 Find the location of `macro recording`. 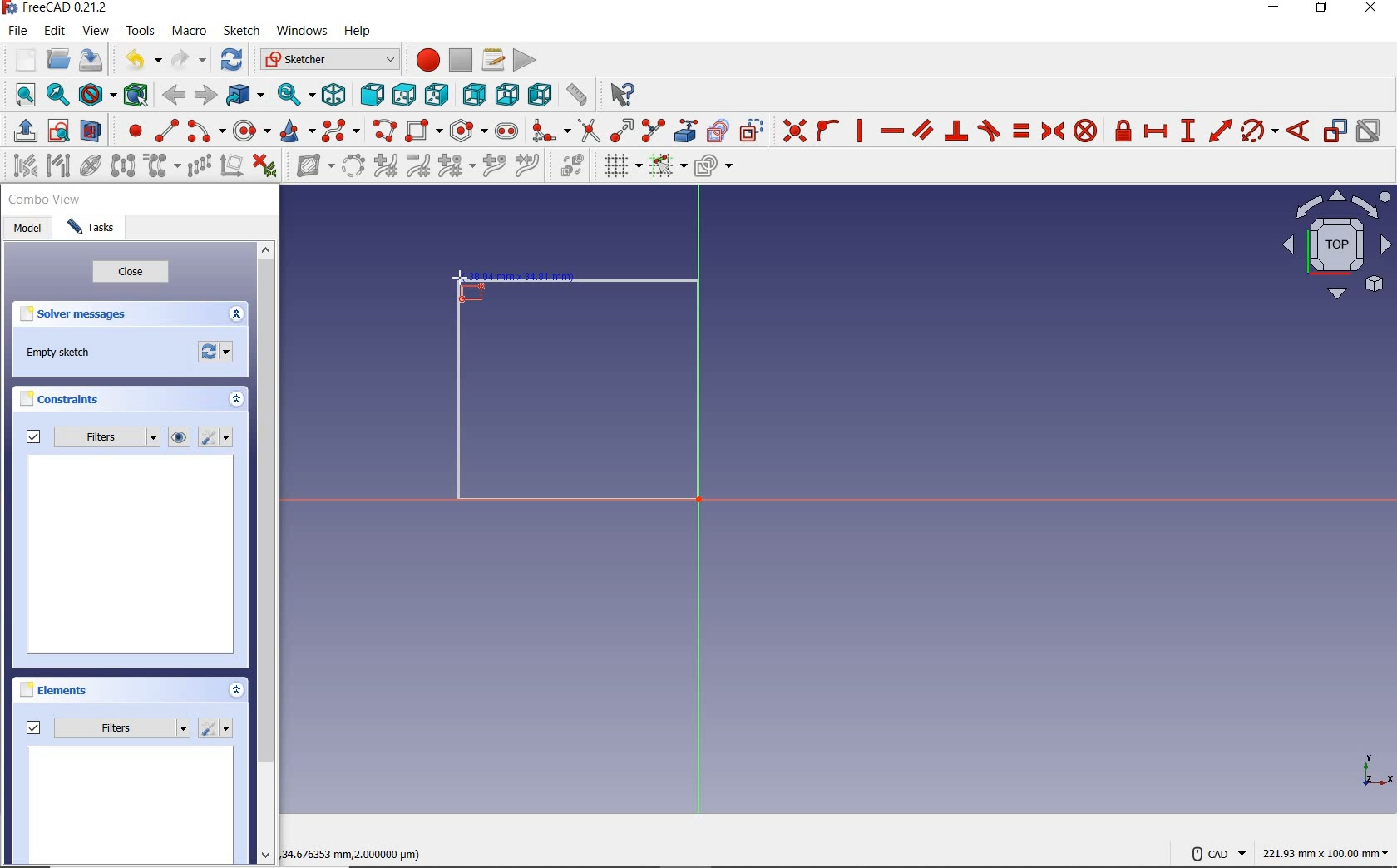

macro recording is located at coordinates (425, 62).